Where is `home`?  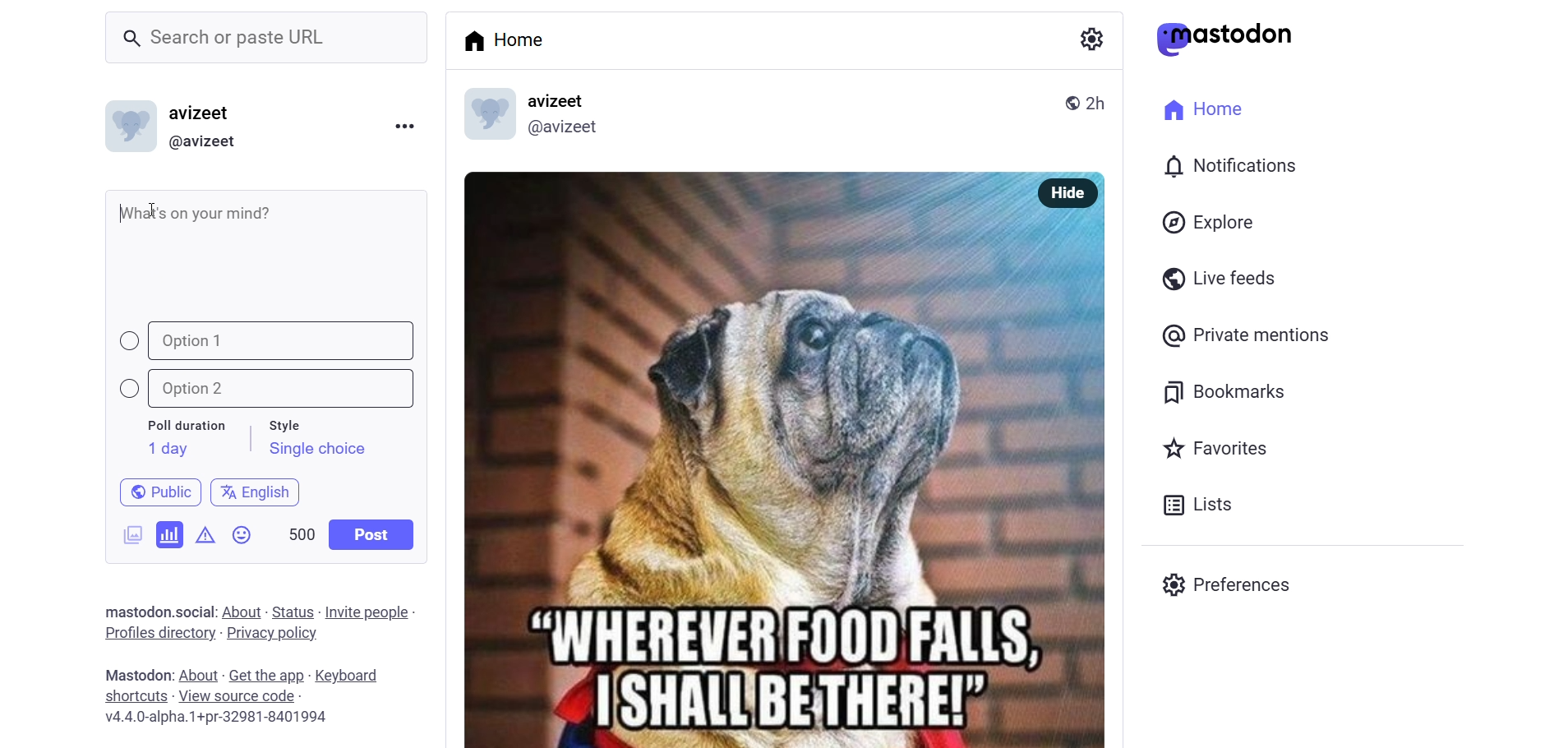 home is located at coordinates (1198, 107).